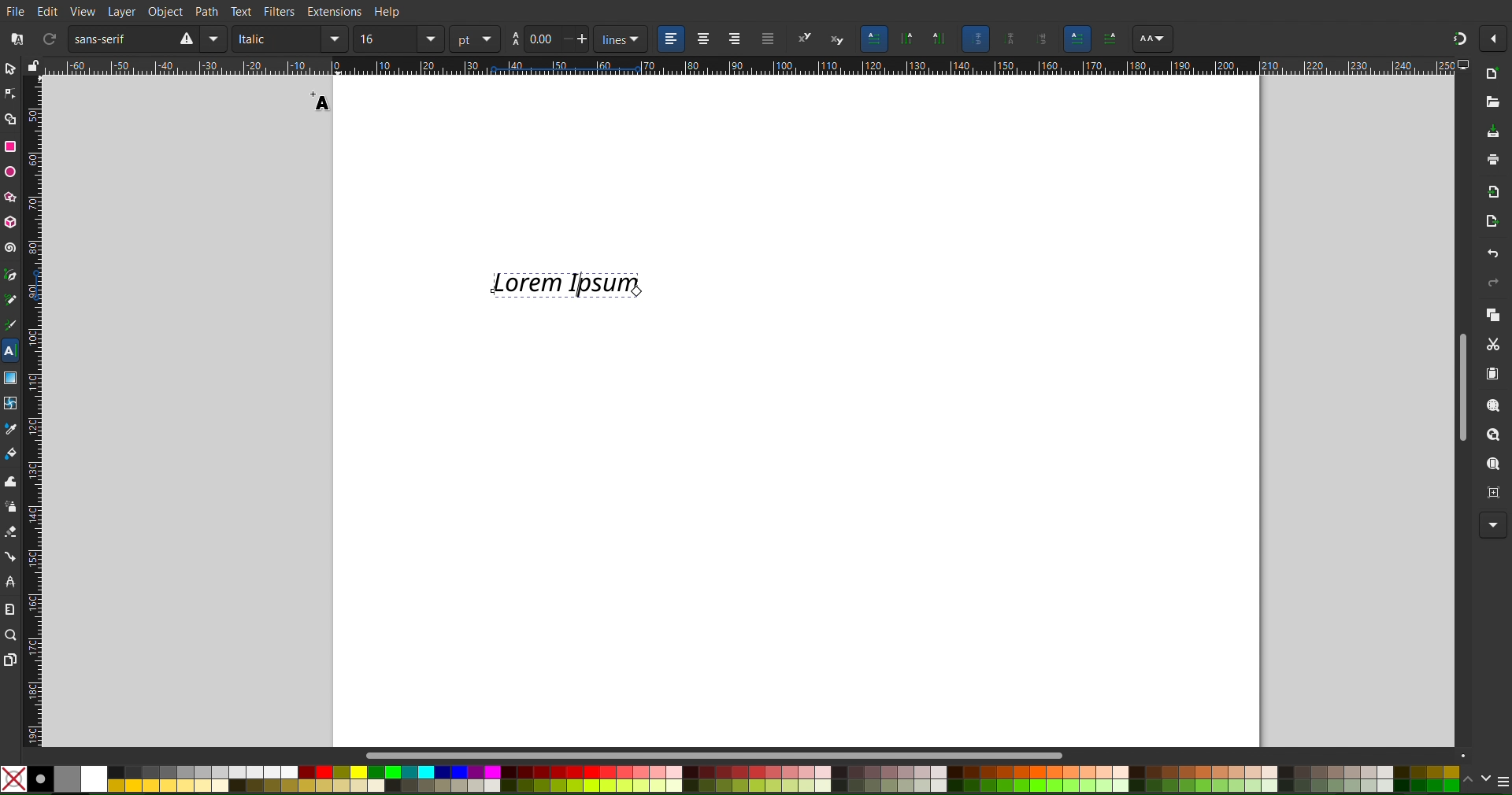 This screenshot has width=1512, height=795. I want to click on Undo, so click(1490, 253).